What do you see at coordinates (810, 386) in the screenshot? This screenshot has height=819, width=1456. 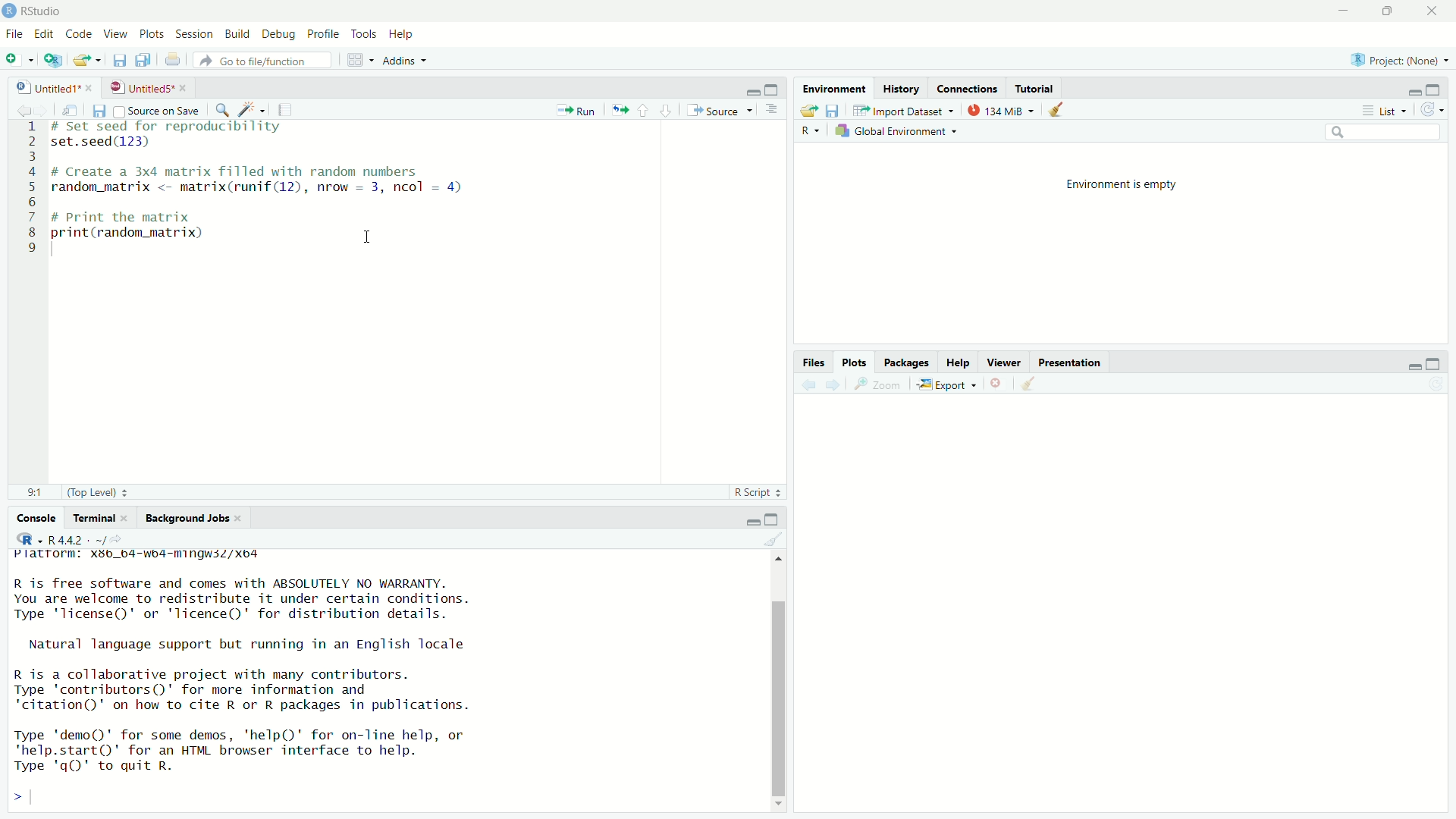 I see `back` at bounding box center [810, 386].